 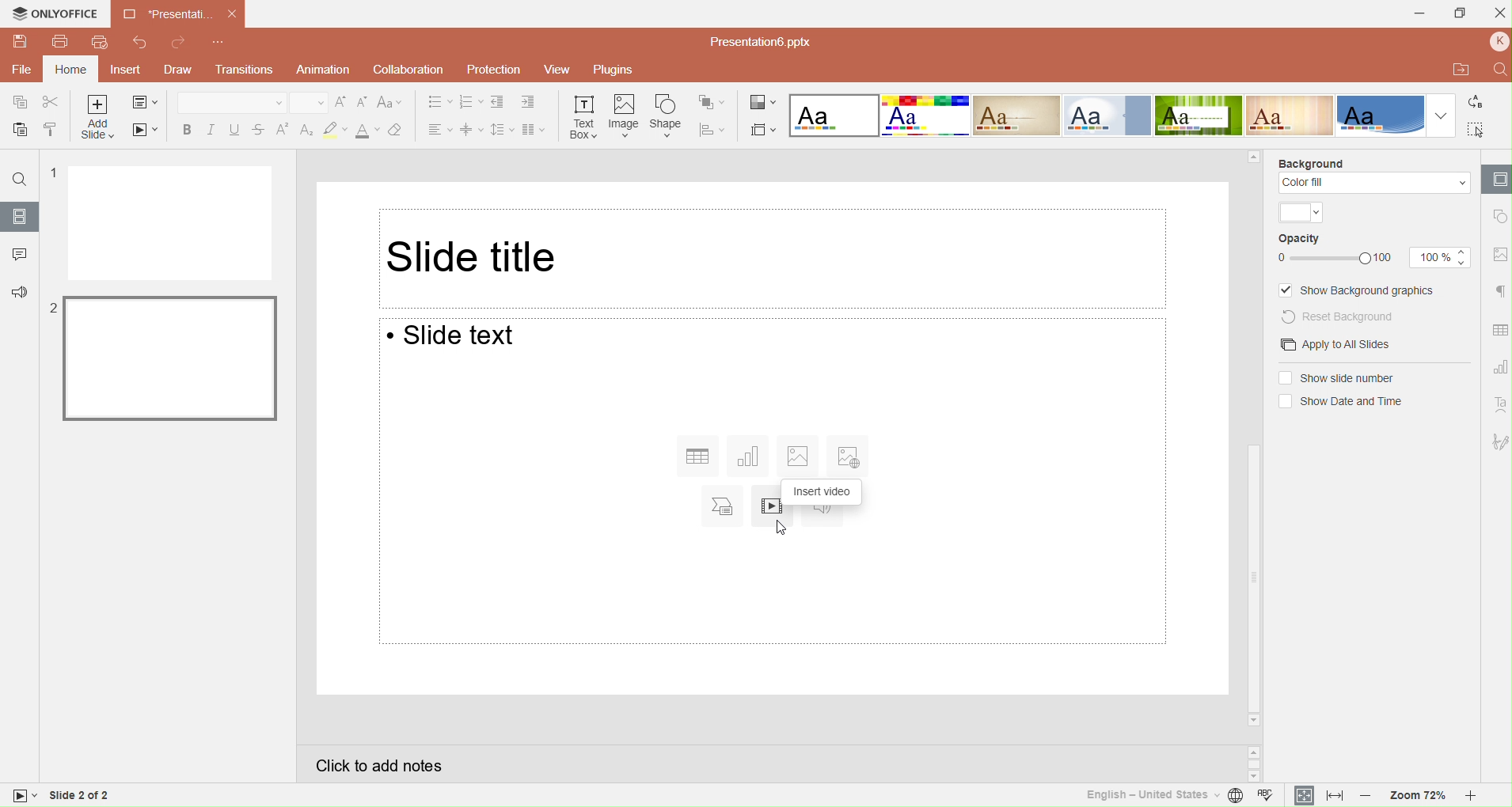 What do you see at coordinates (139, 41) in the screenshot?
I see `Undo` at bounding box center [139, 41].